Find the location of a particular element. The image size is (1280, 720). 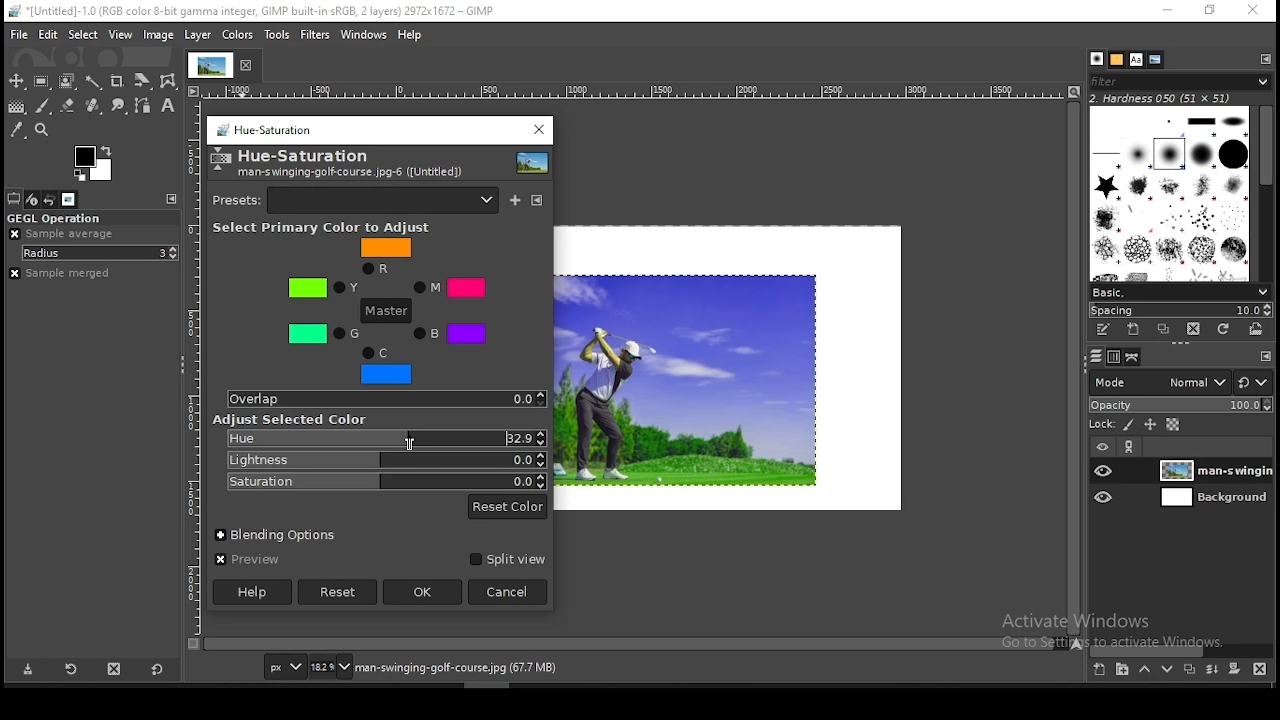

hue is located at coordinates (384, 438).